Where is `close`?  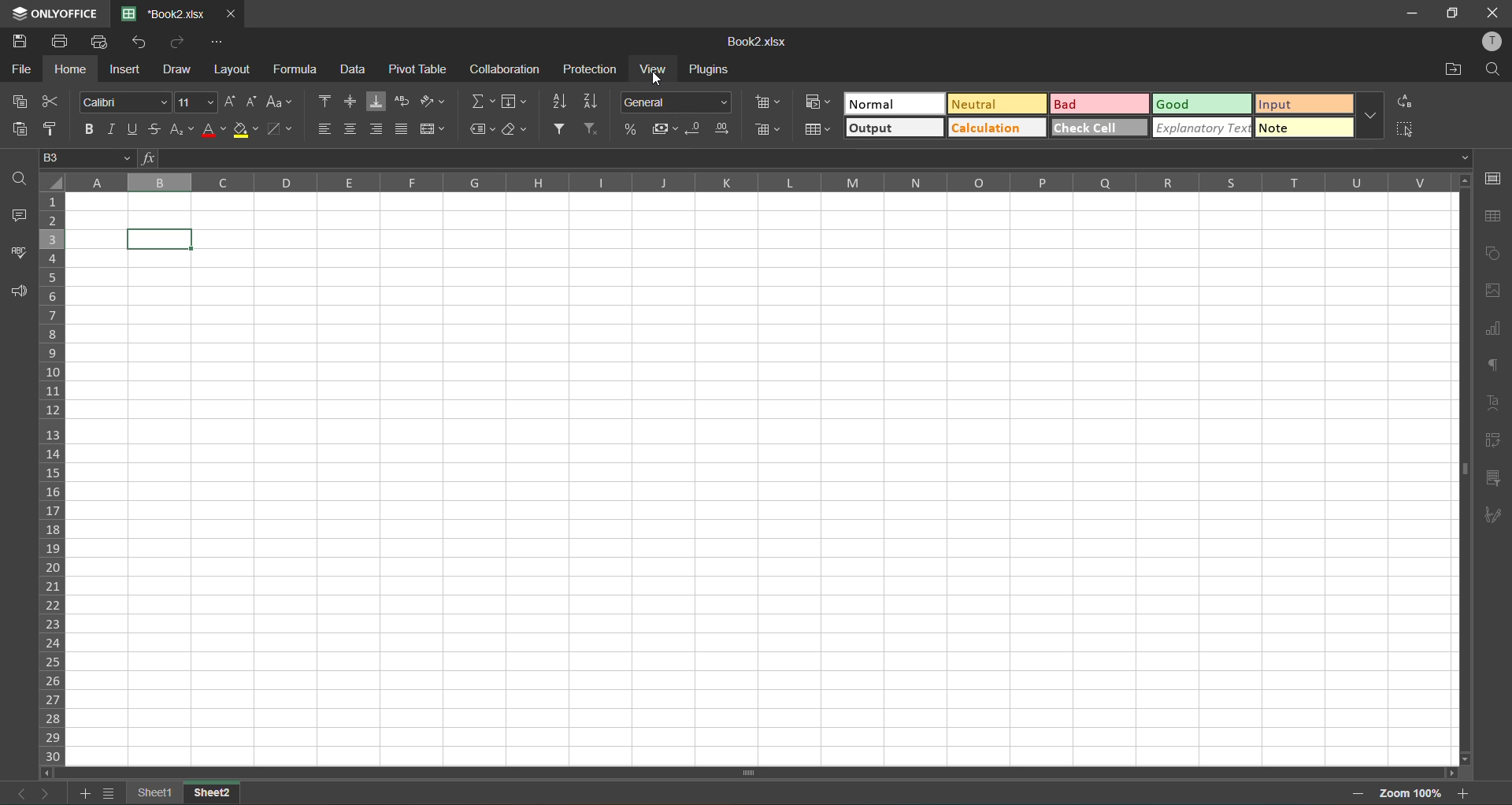 close is located at coordinates (1492, 13).